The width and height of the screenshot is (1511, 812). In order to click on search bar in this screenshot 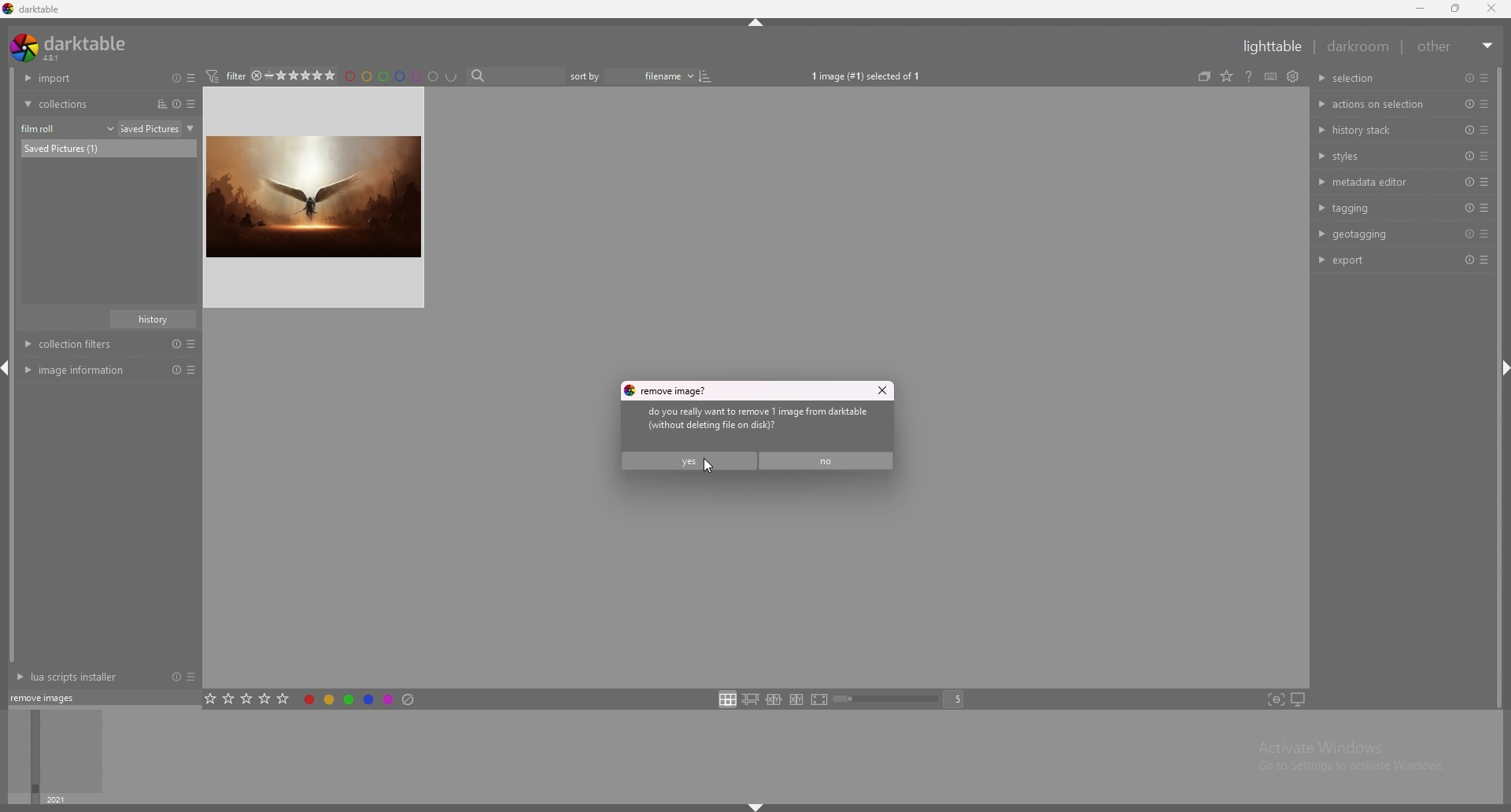, I will do `click(519, 76)`.